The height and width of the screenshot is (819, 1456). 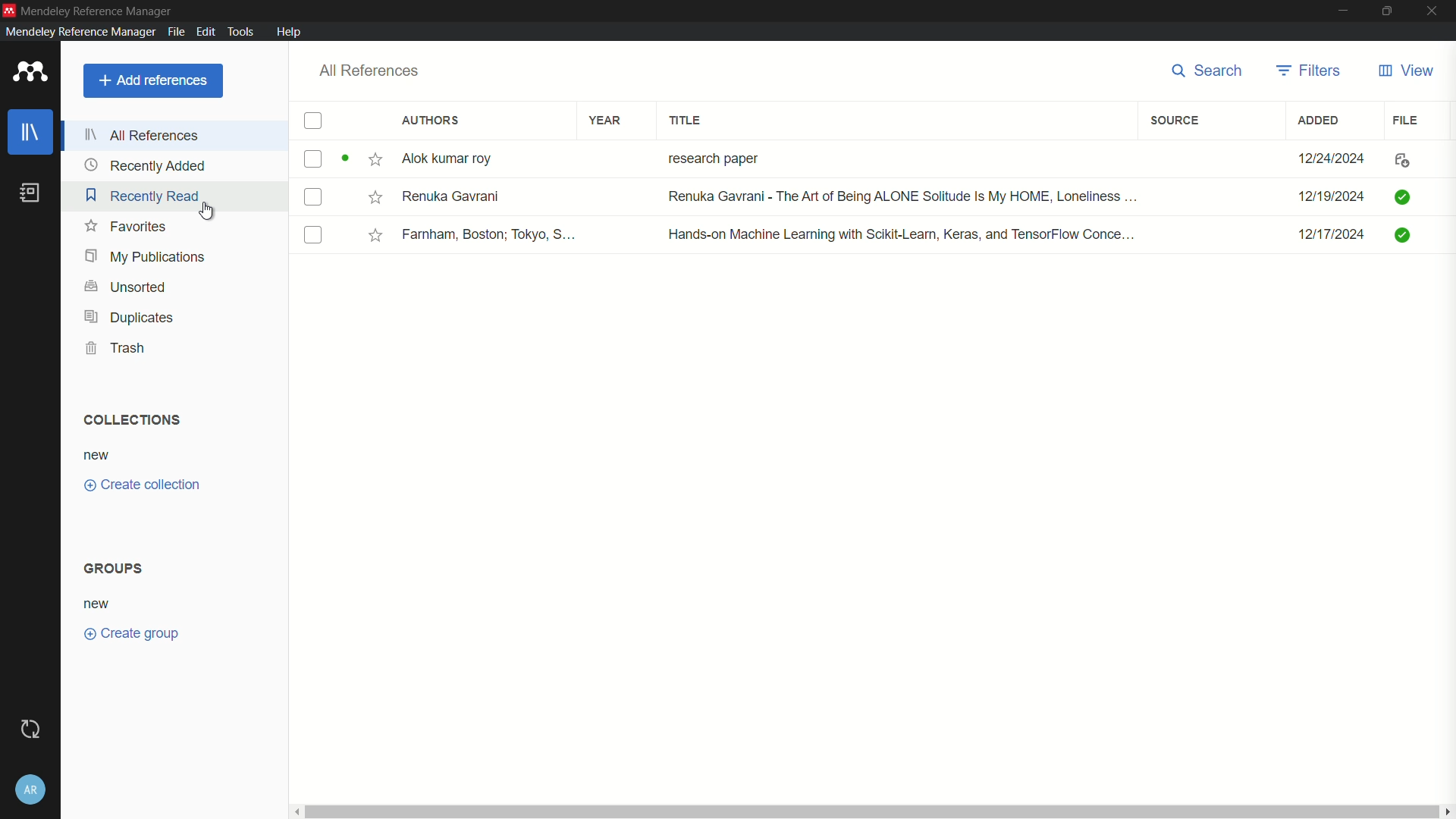 What do you see at coordinates (145, 165) in the screenshot?
I see `recently added` at bounding box center [145, 165].